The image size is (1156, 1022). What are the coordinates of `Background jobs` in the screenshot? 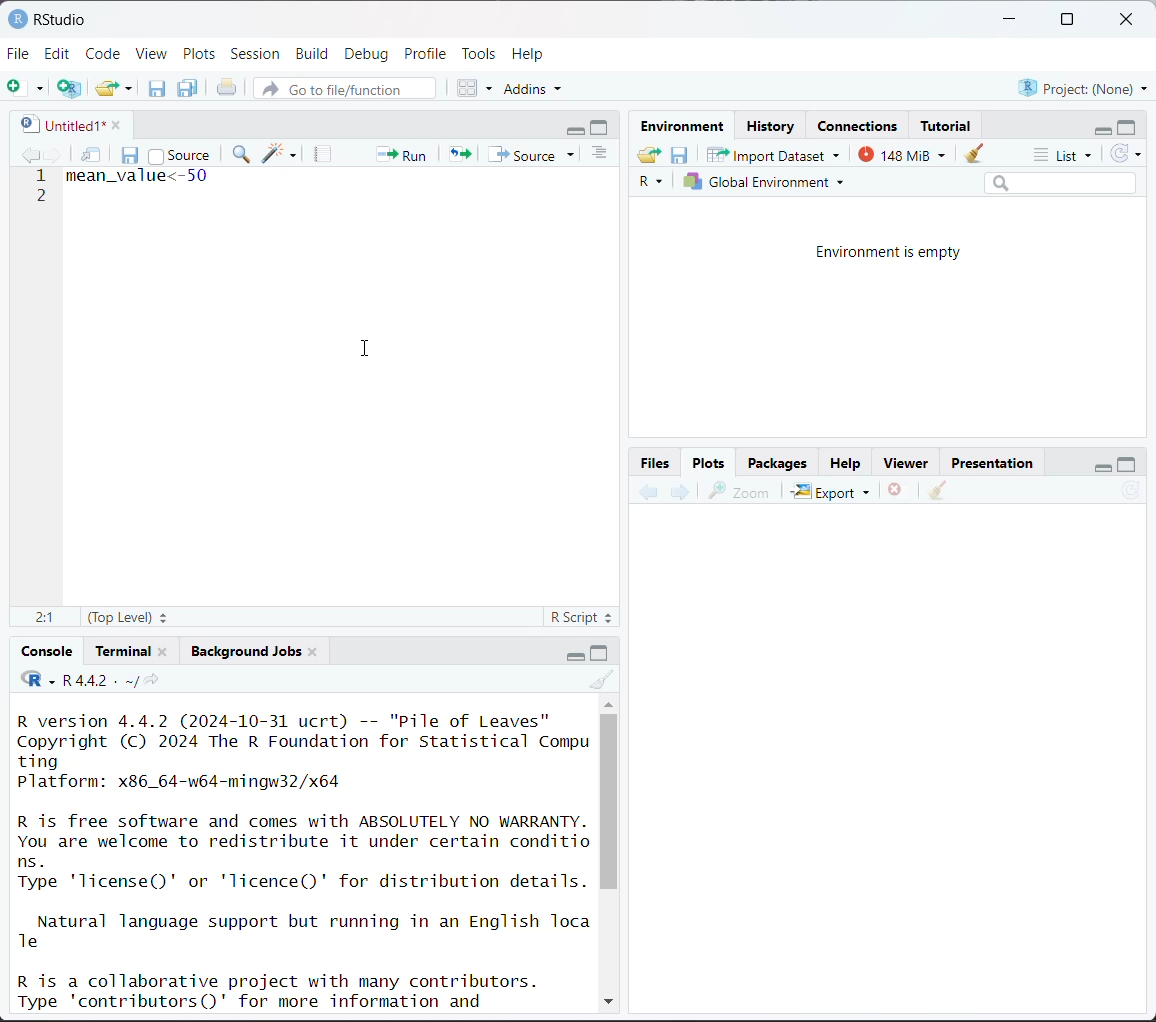 It's located at (246, 651).